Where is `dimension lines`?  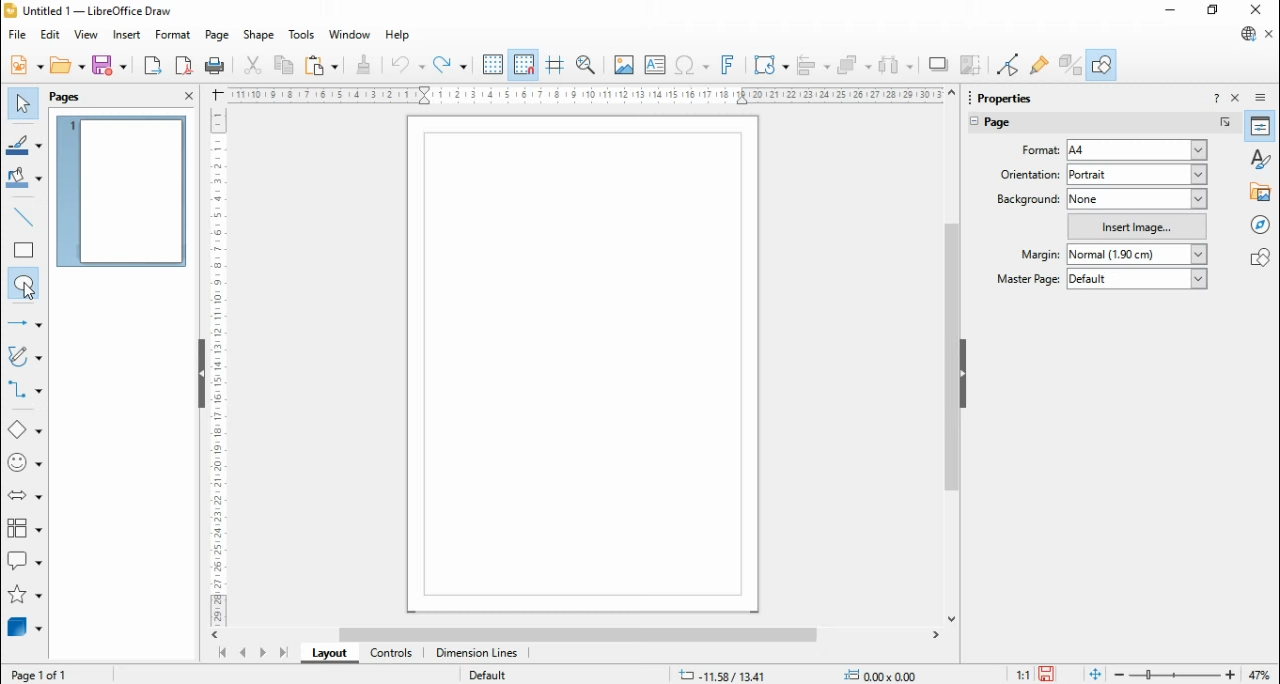 dimension lines is located at coordinates (478, 653).